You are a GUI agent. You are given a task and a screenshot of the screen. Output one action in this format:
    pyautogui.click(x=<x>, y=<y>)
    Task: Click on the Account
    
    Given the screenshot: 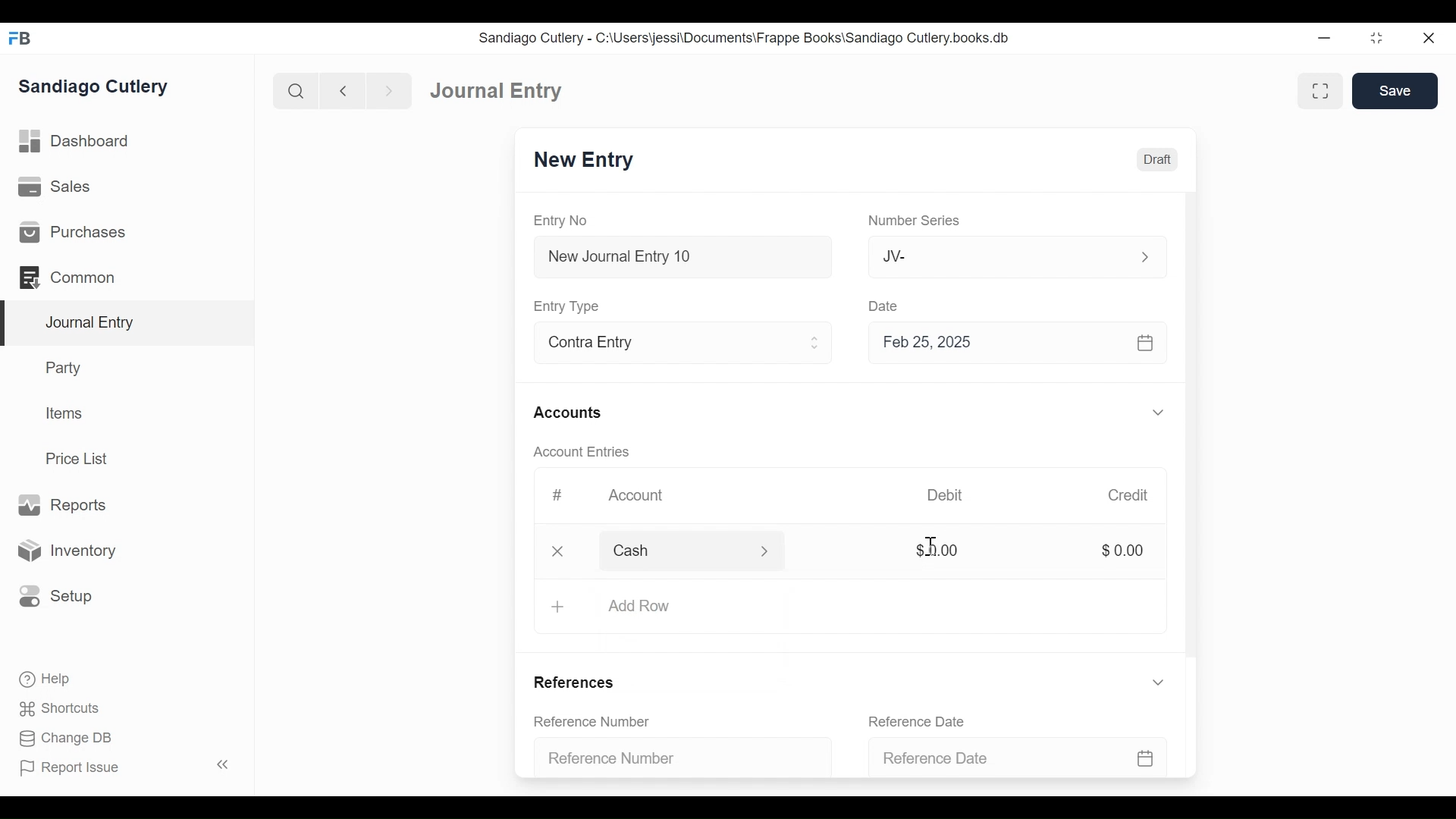 What is the action you would take?
    pyautogui.click(x=638, y=497)
    